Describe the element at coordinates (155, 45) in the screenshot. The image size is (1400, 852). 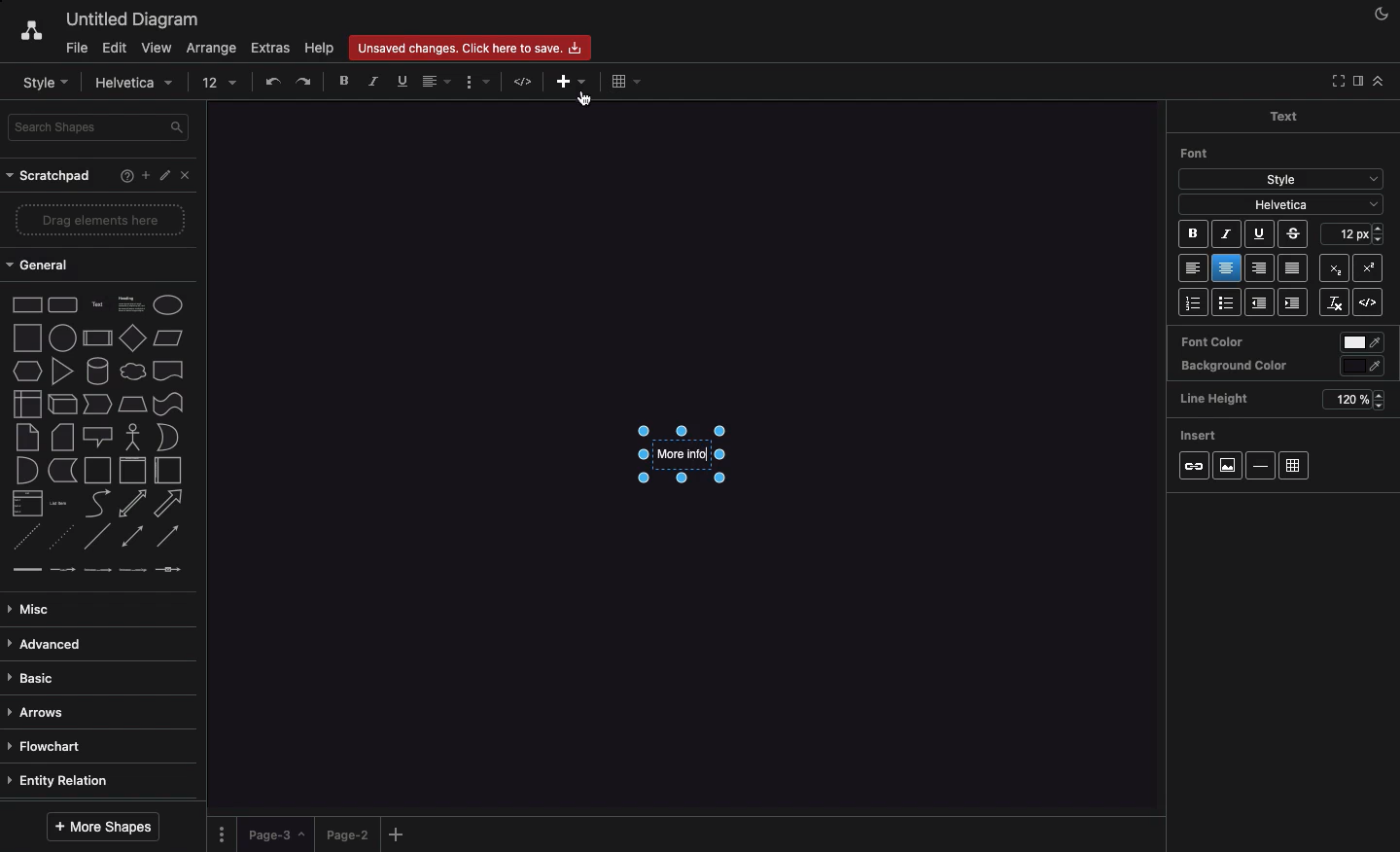
I see `View` at that location.